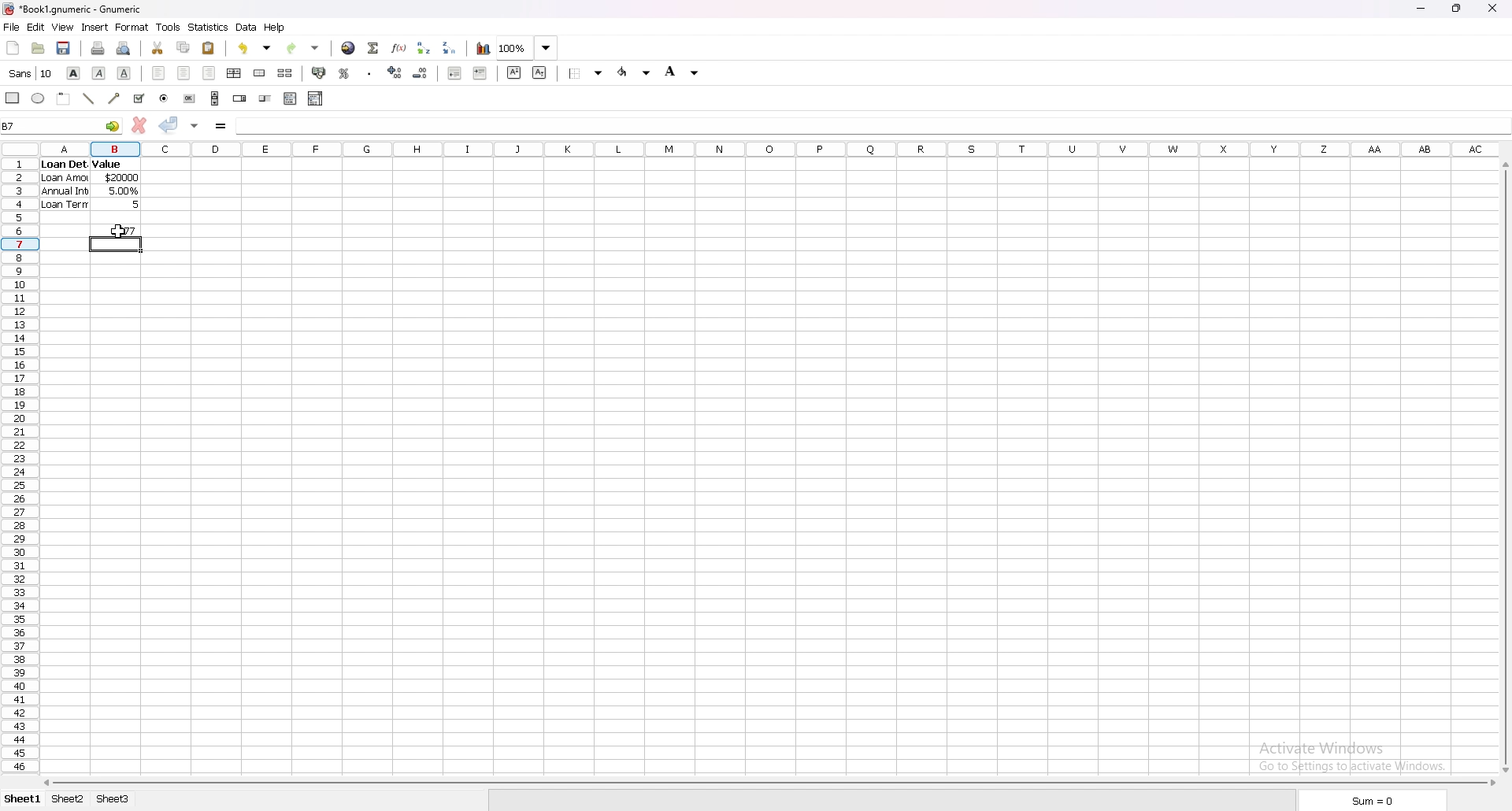  Describe the element at coordinates (400, 49) in the screenshot. I see `functions` at that location.